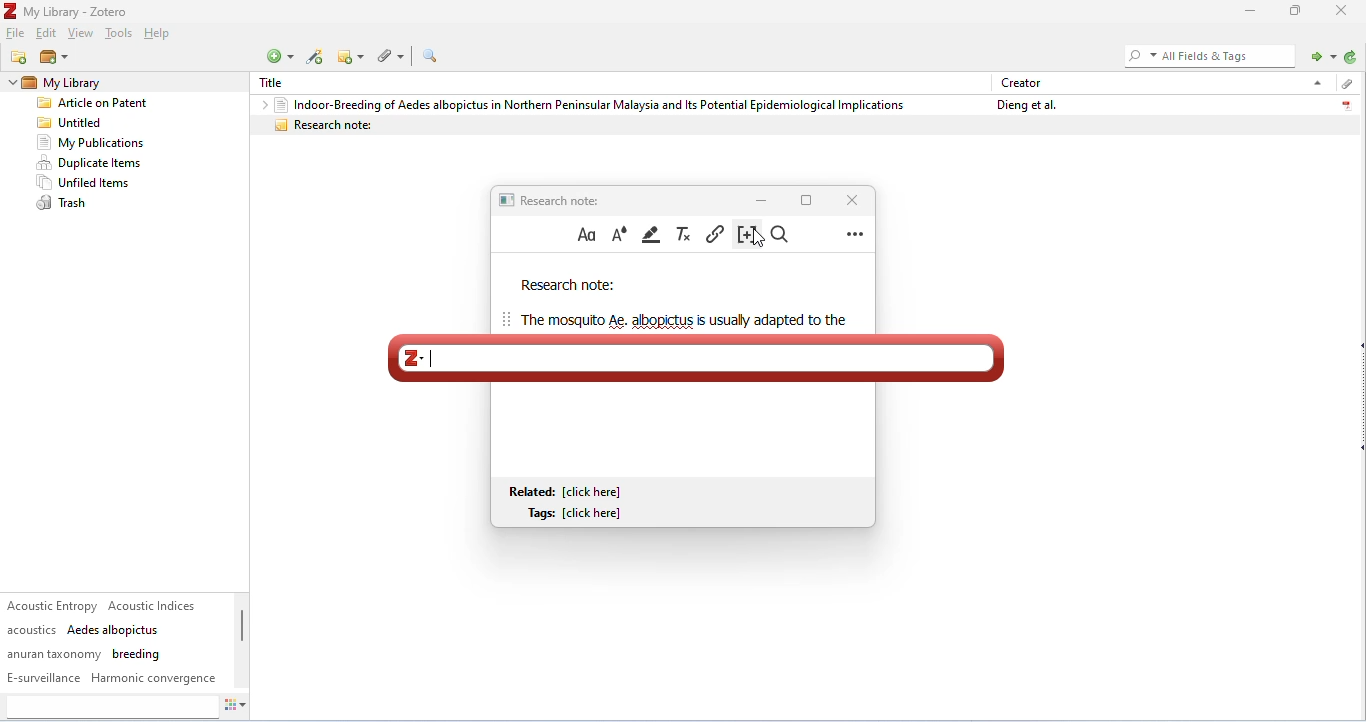  Describe the element at coordinates (806, 199) in the screenshot. I see `maximize` at that location.